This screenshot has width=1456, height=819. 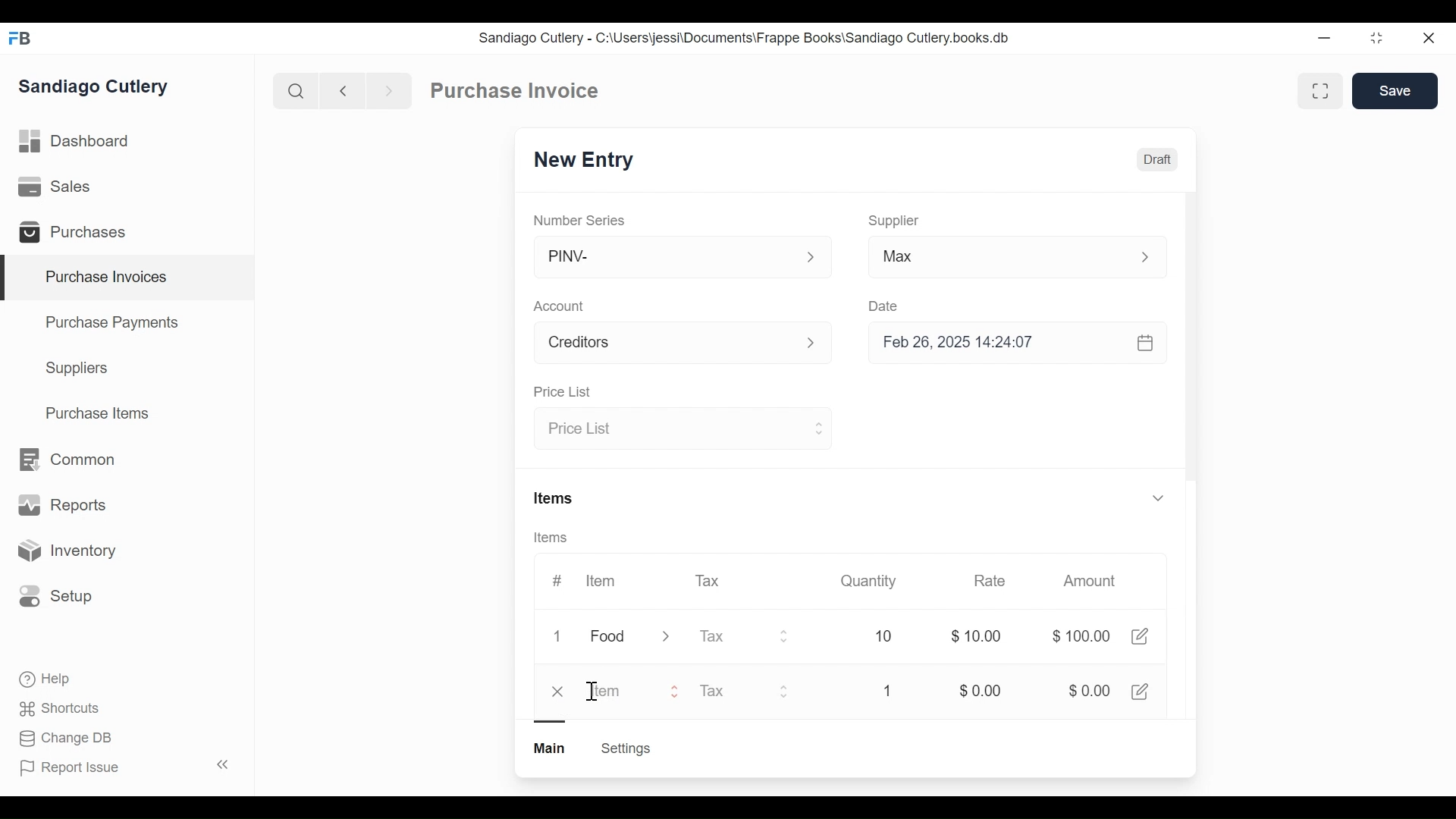 What do you see at coordinates (1321, 39) in the screenshot?
I see `Minimize` at bounding box center [1321, 39].